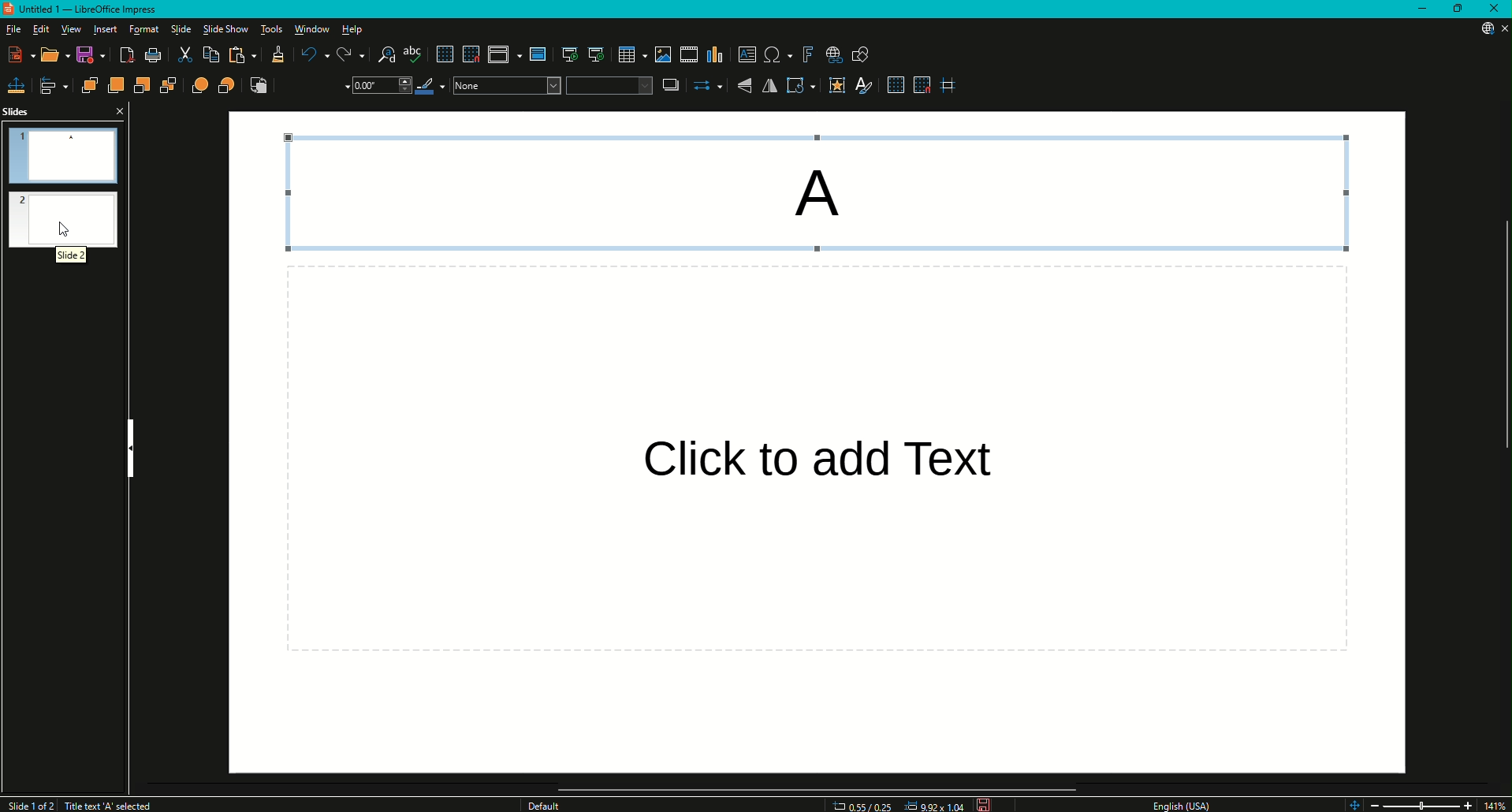 This screenshot has height=812, width=1512. Describe the element at coordinates (814, 786) in the screenshot. I see `Scroll` at that location.